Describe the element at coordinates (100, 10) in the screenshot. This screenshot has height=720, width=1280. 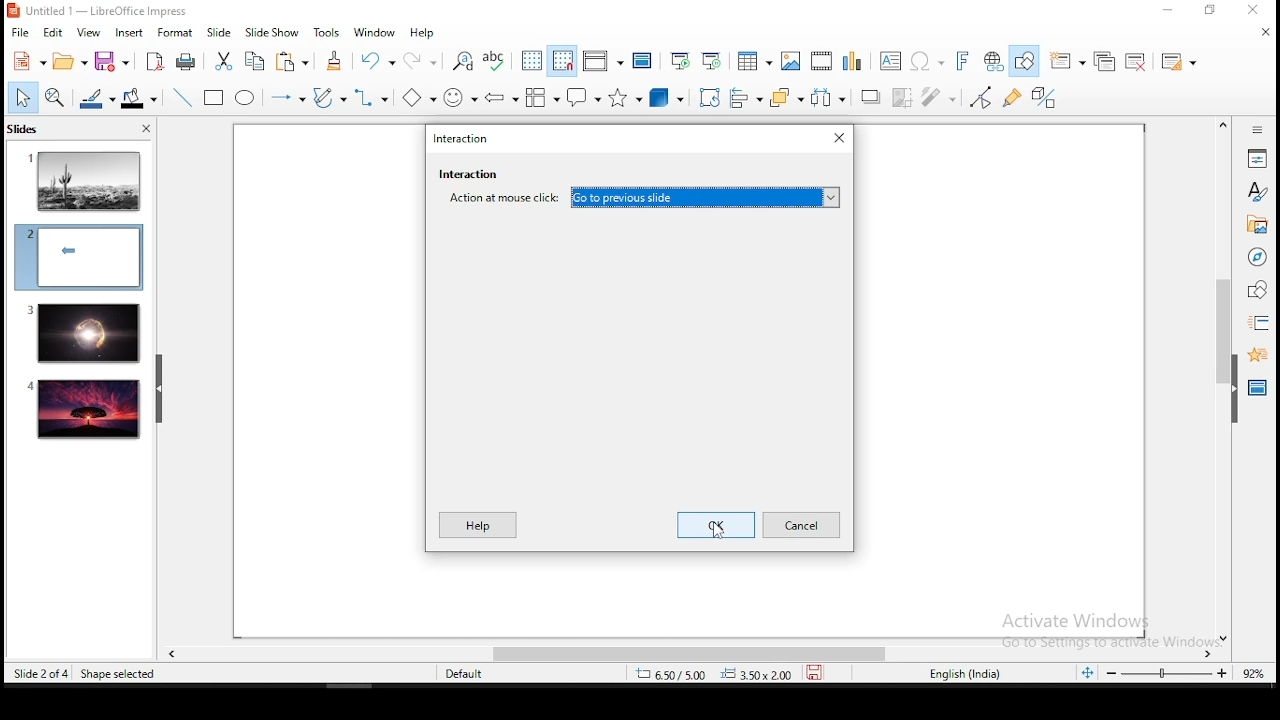
I see `window name` at that location.